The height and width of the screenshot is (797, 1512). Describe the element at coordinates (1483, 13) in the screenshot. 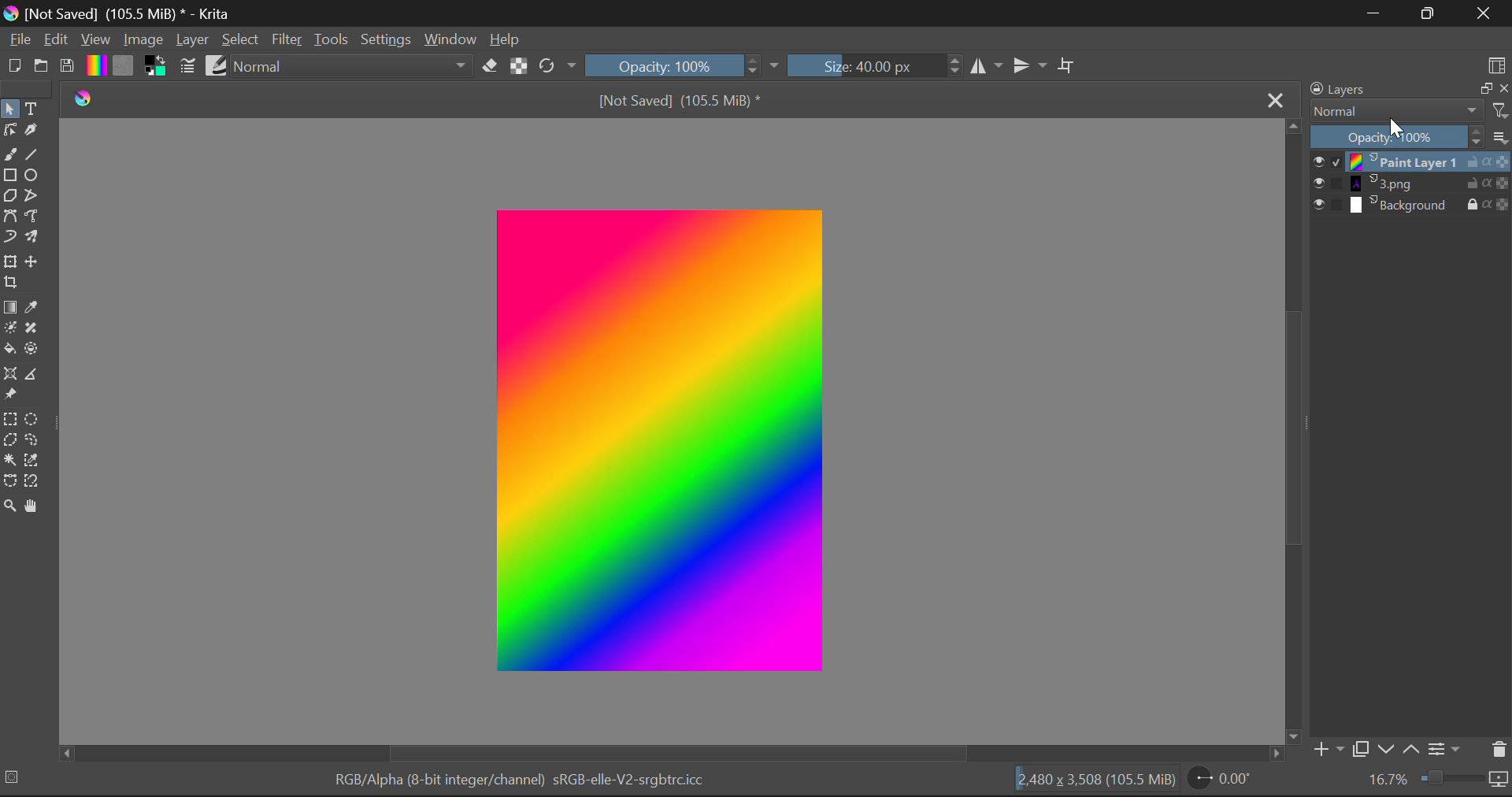

I see `Close` at that location.